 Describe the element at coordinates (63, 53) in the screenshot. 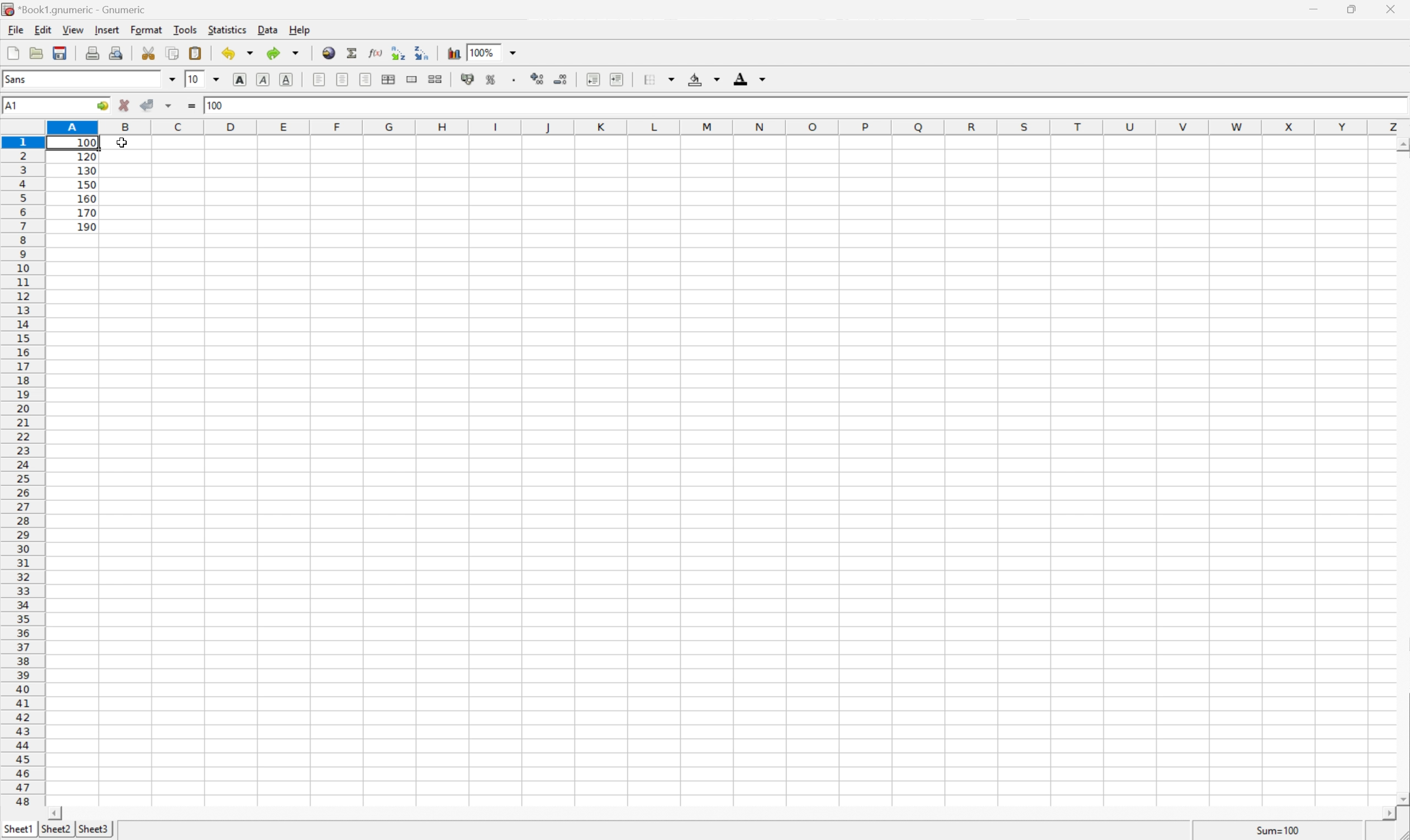

I see `Save current workbook` at that location.